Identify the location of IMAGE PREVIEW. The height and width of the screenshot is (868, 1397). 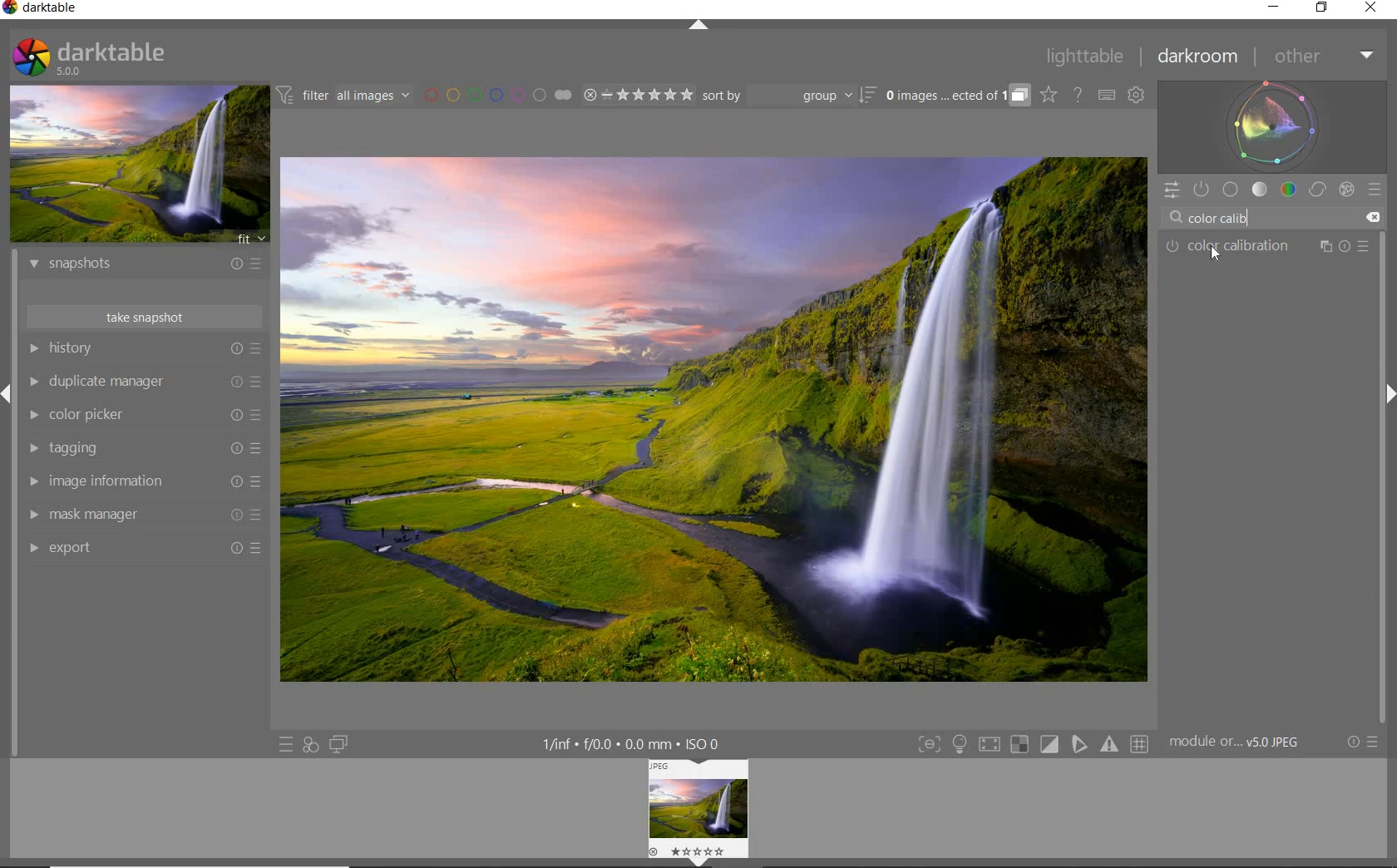
(137, 165).